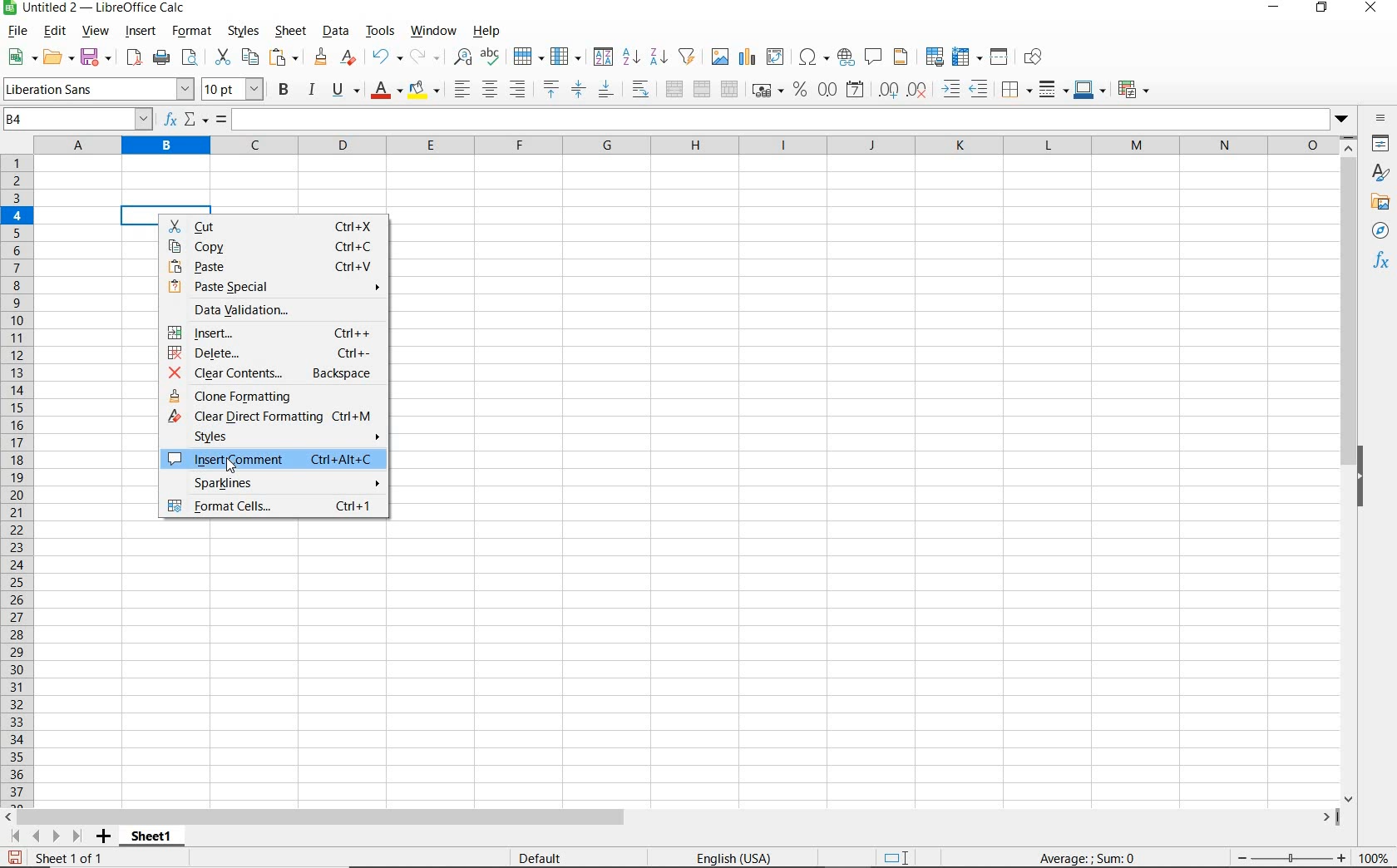  What do you see at coordinates (274, 418) in the screenshot?
I see `clear direct formatting` at bounding box center [274, 418].